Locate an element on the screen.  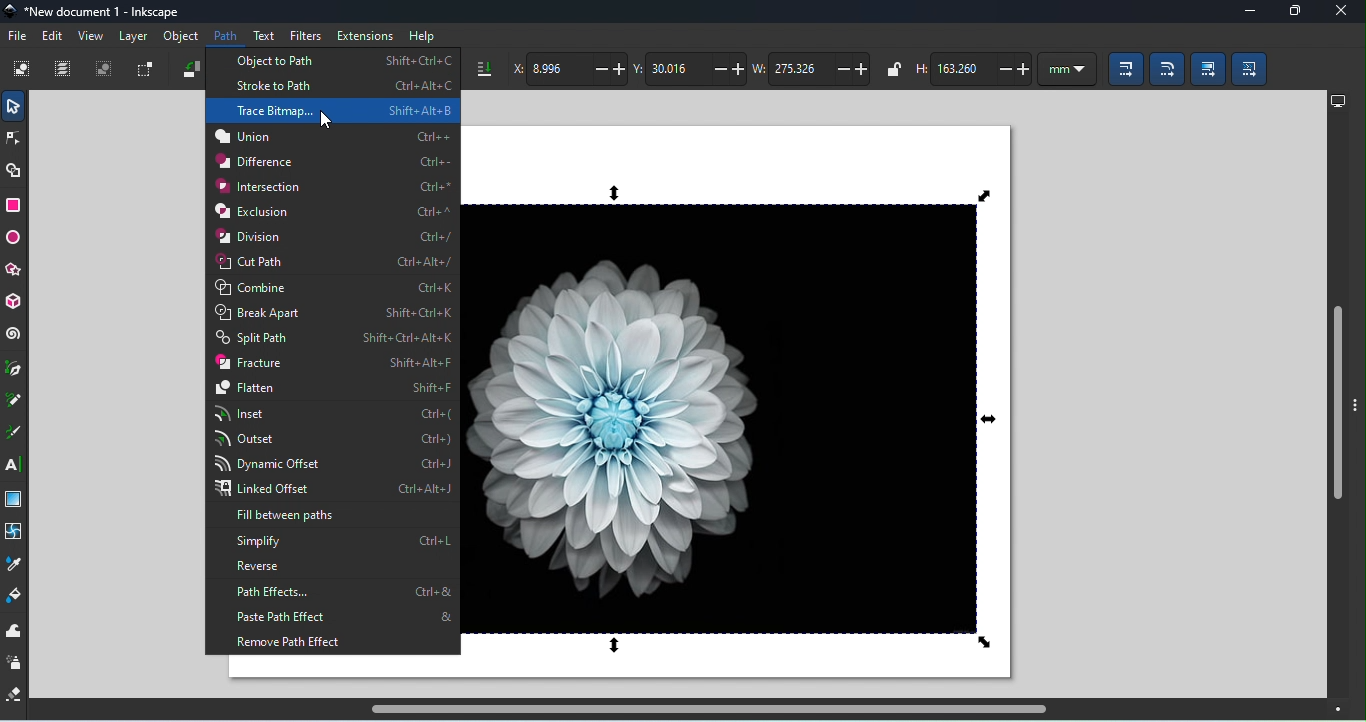
Calligraphy tool is located at coordinates (13, 435).